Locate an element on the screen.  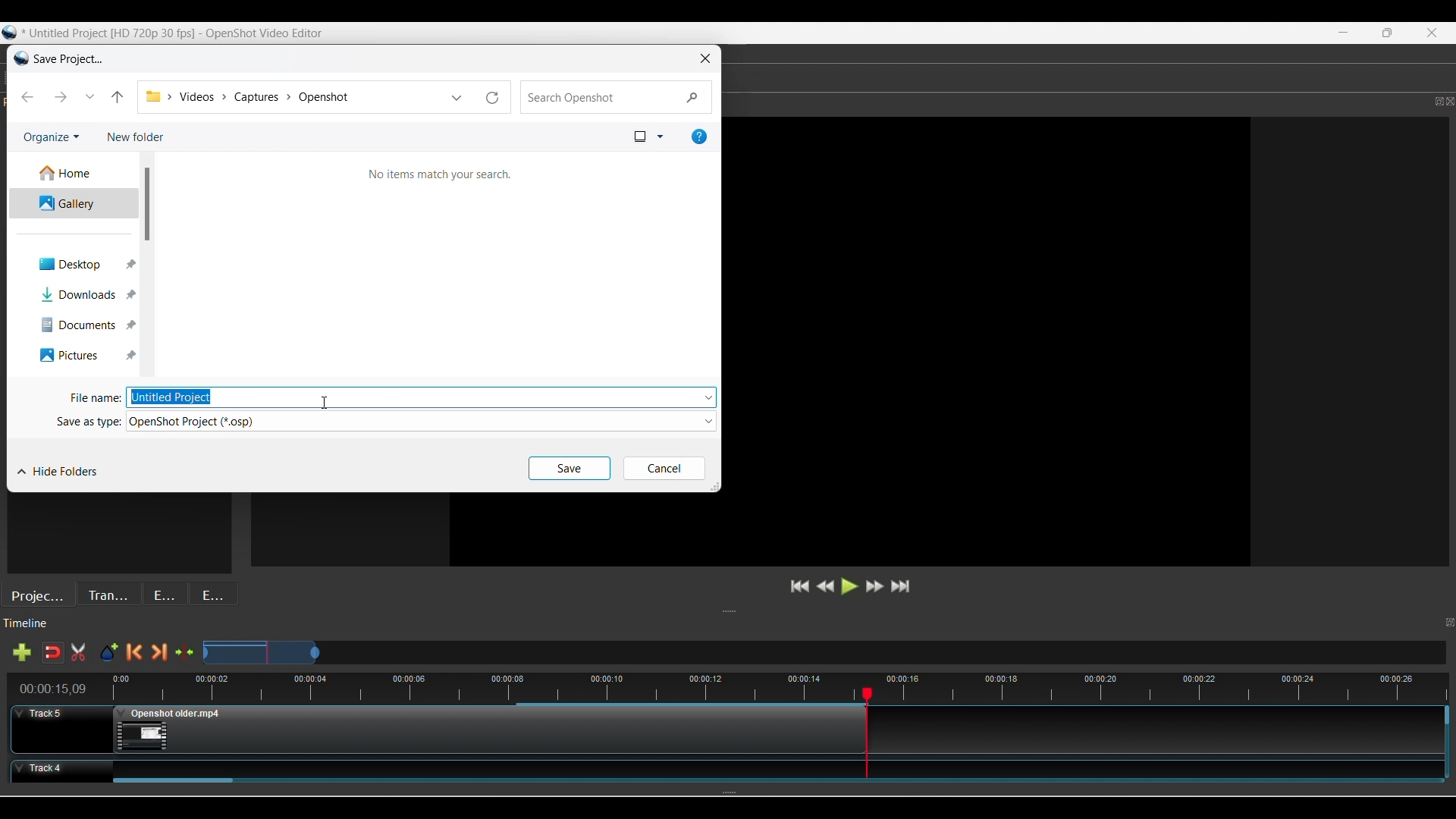
Current timestamp of playhead is located at coordinates (54, 689).